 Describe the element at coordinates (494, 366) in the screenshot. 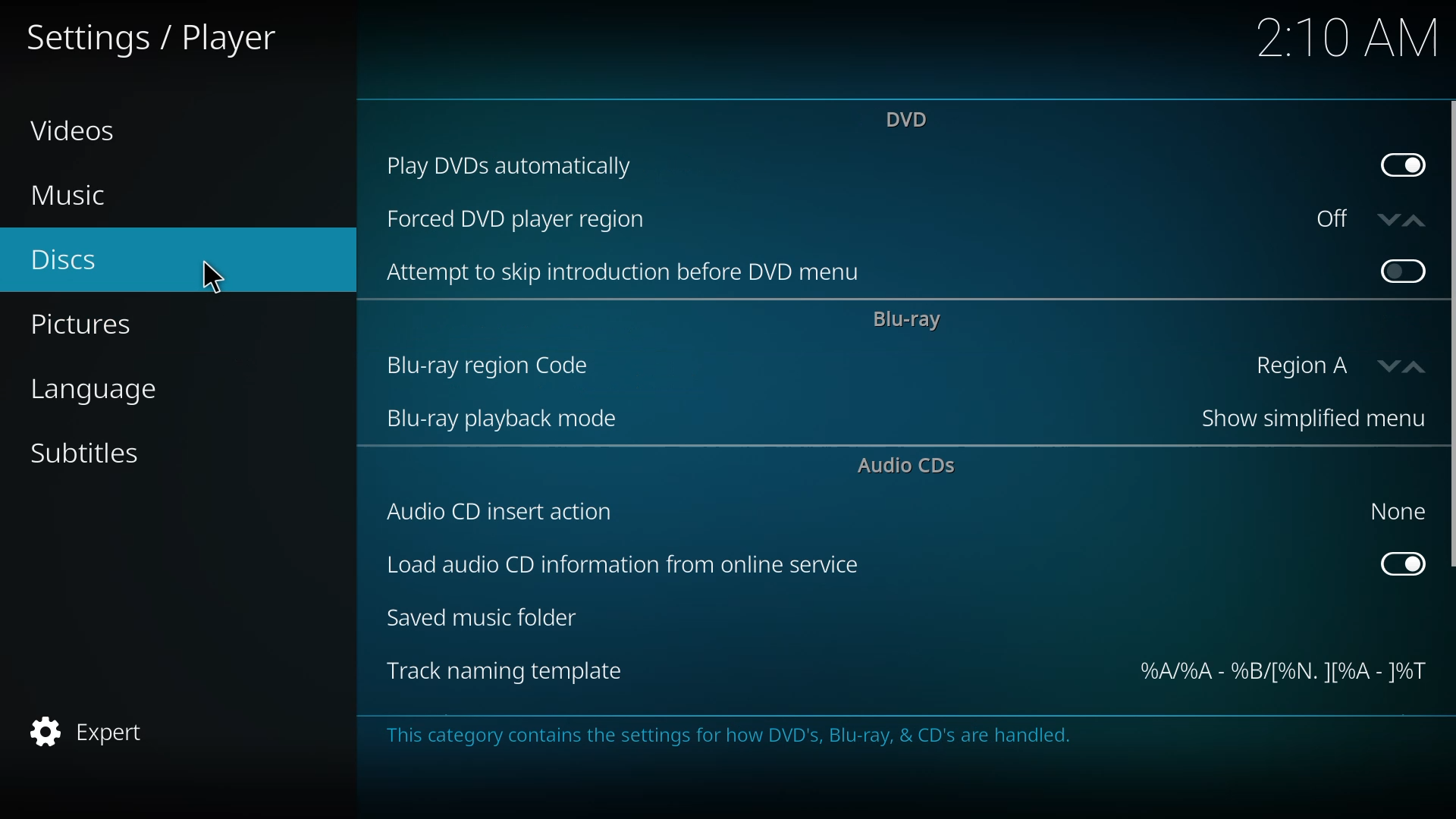

I see `bluray region code` at that location.